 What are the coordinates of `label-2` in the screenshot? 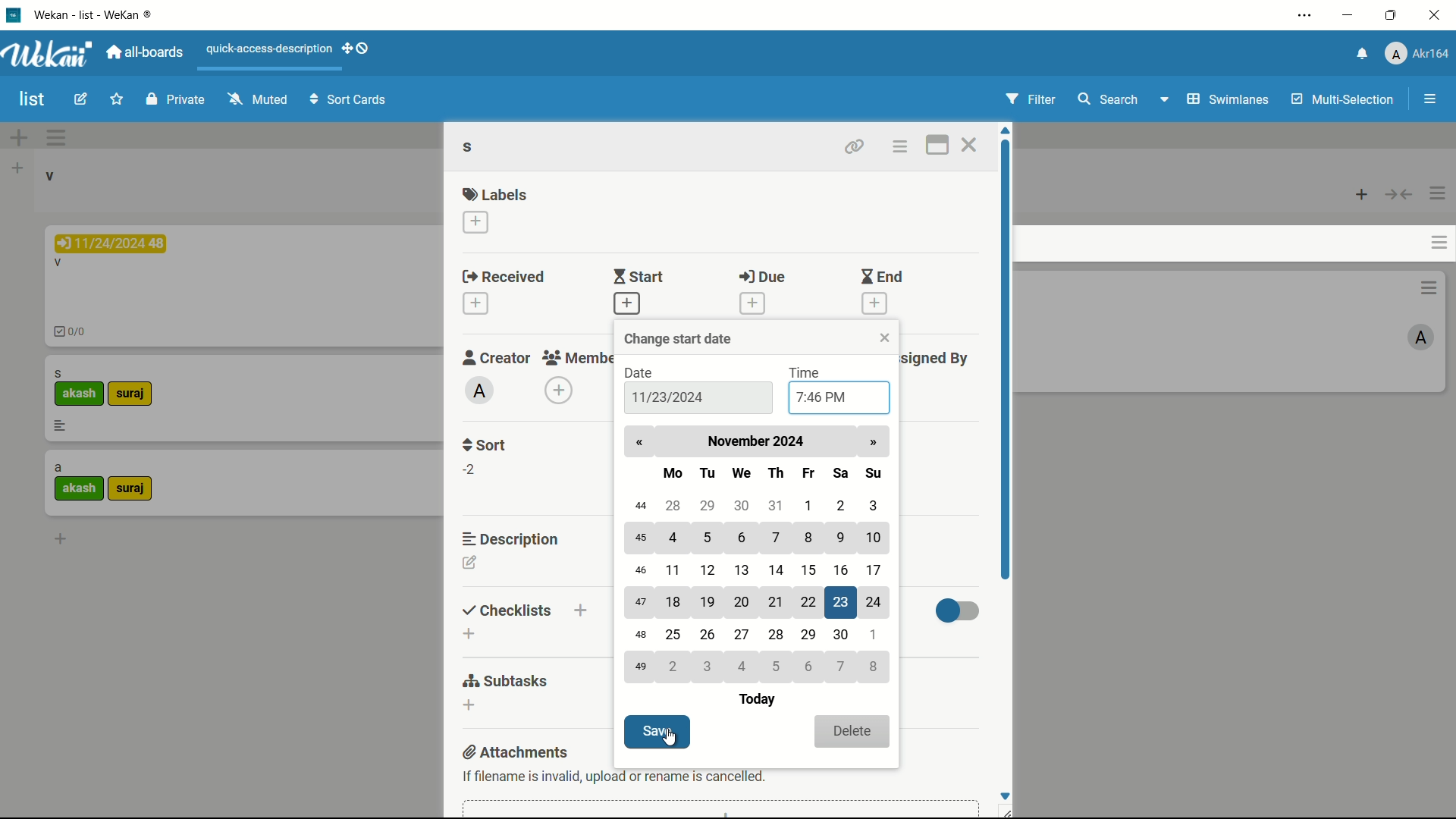 It's located at (130, 490).